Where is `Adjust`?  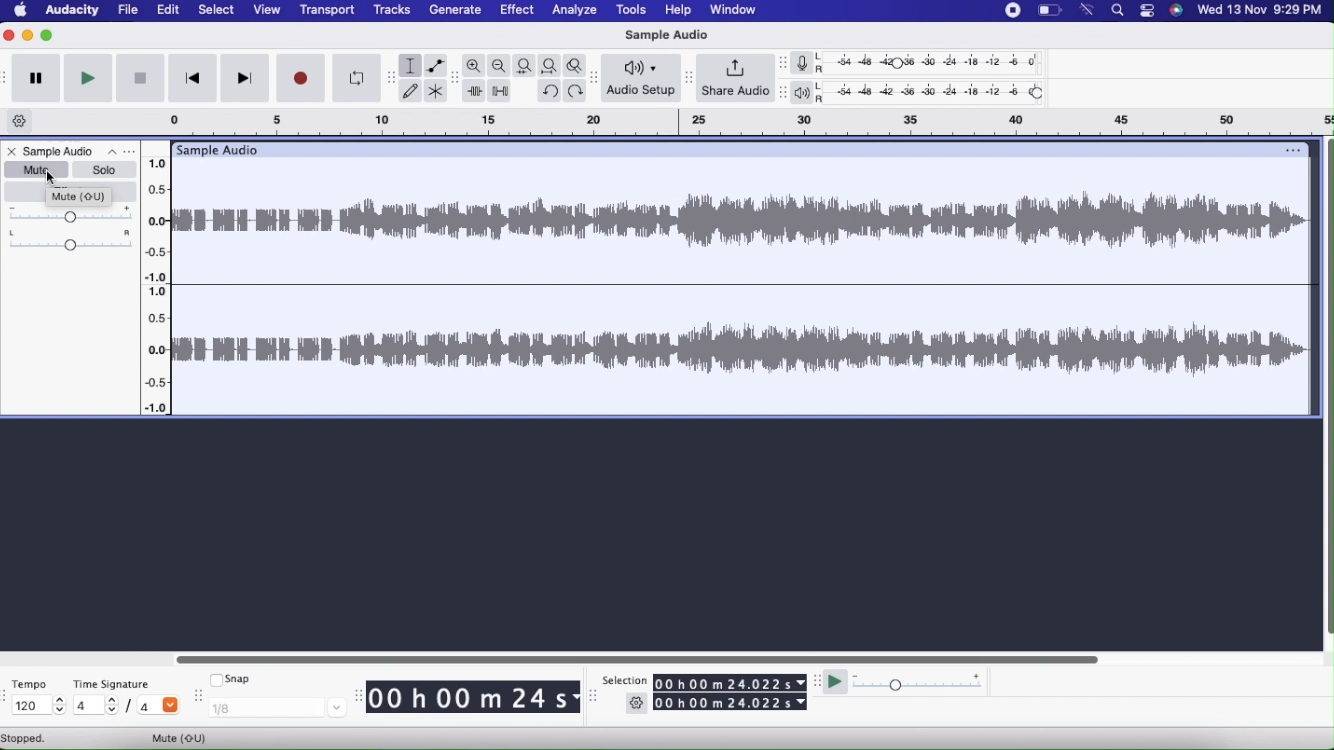
Adjust is located at coordinates (457, 80).